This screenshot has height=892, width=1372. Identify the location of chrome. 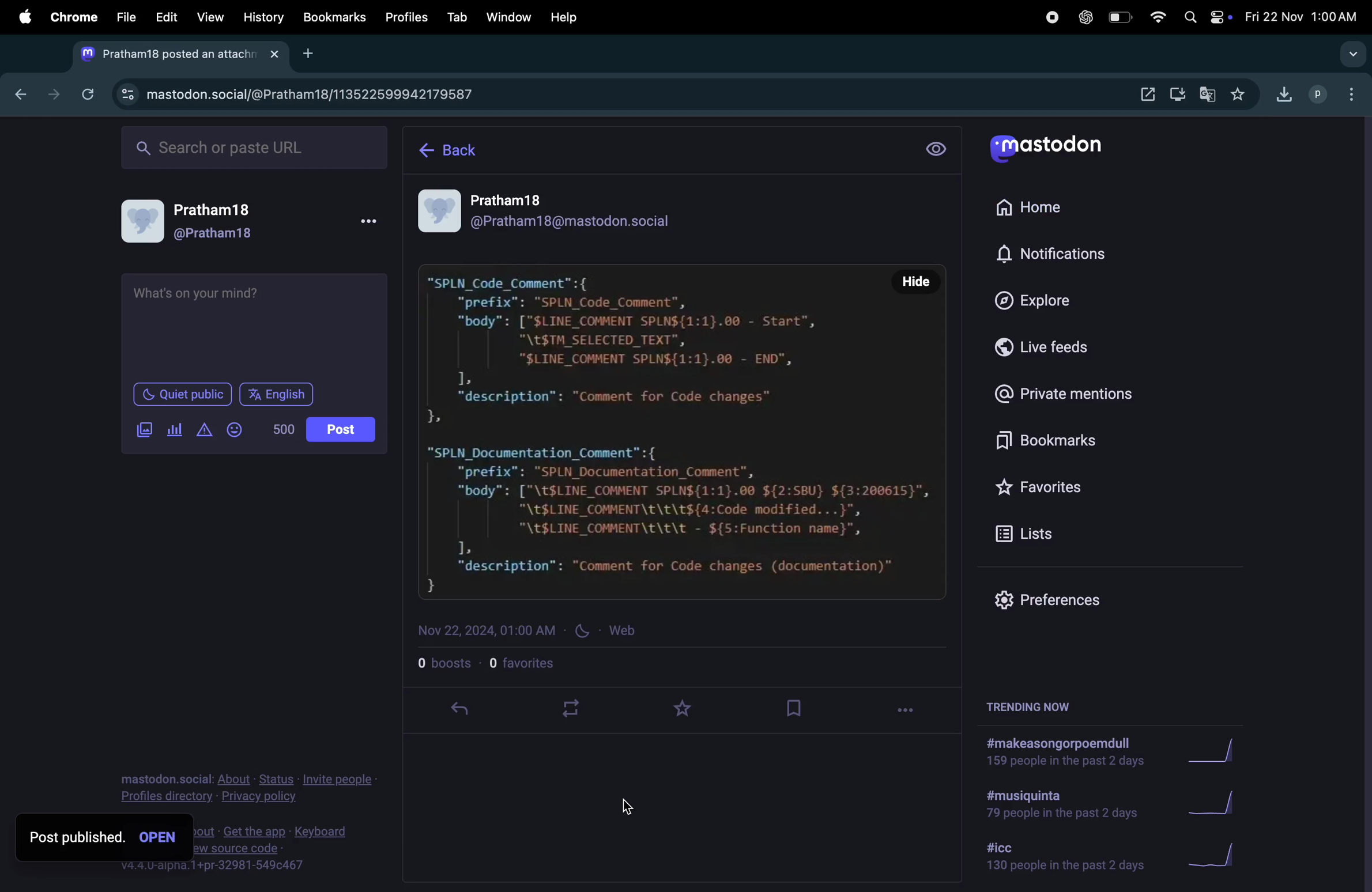
(74, 17).